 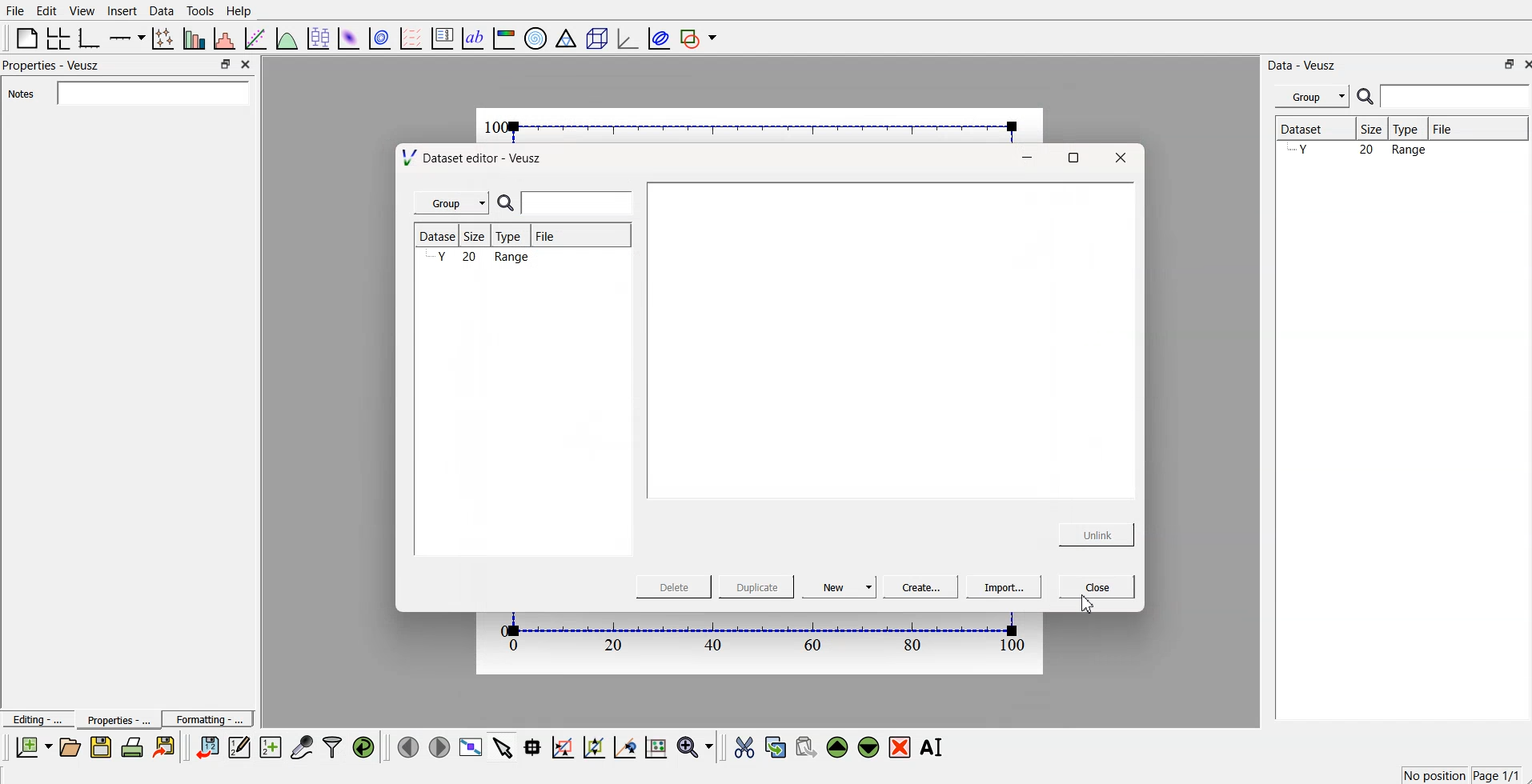 What do you see at coordinates (626, 745) in the screenshot?
I see `click to recentre graph axes` at bounding box center [626, 745].